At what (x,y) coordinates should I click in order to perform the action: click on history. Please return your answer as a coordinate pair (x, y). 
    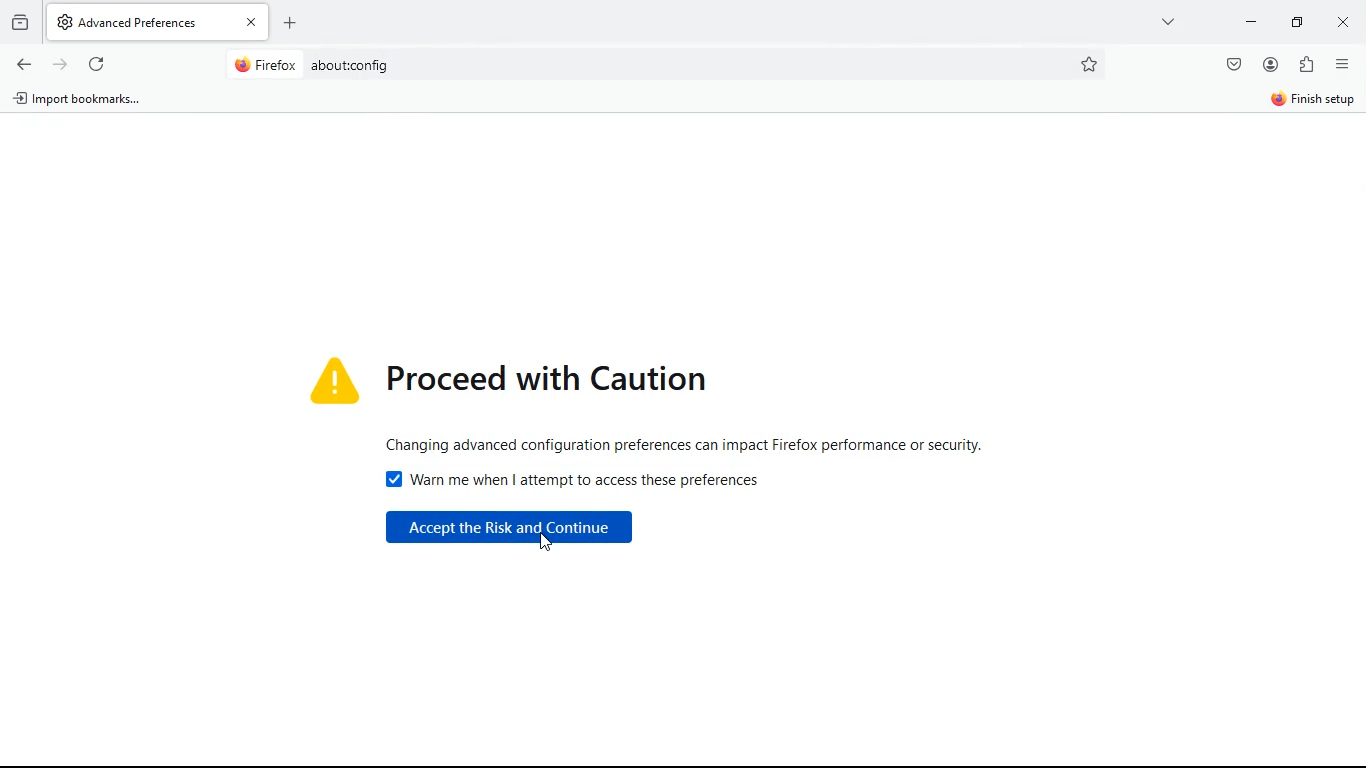
    Looking at the image, I should click on (21, 23).